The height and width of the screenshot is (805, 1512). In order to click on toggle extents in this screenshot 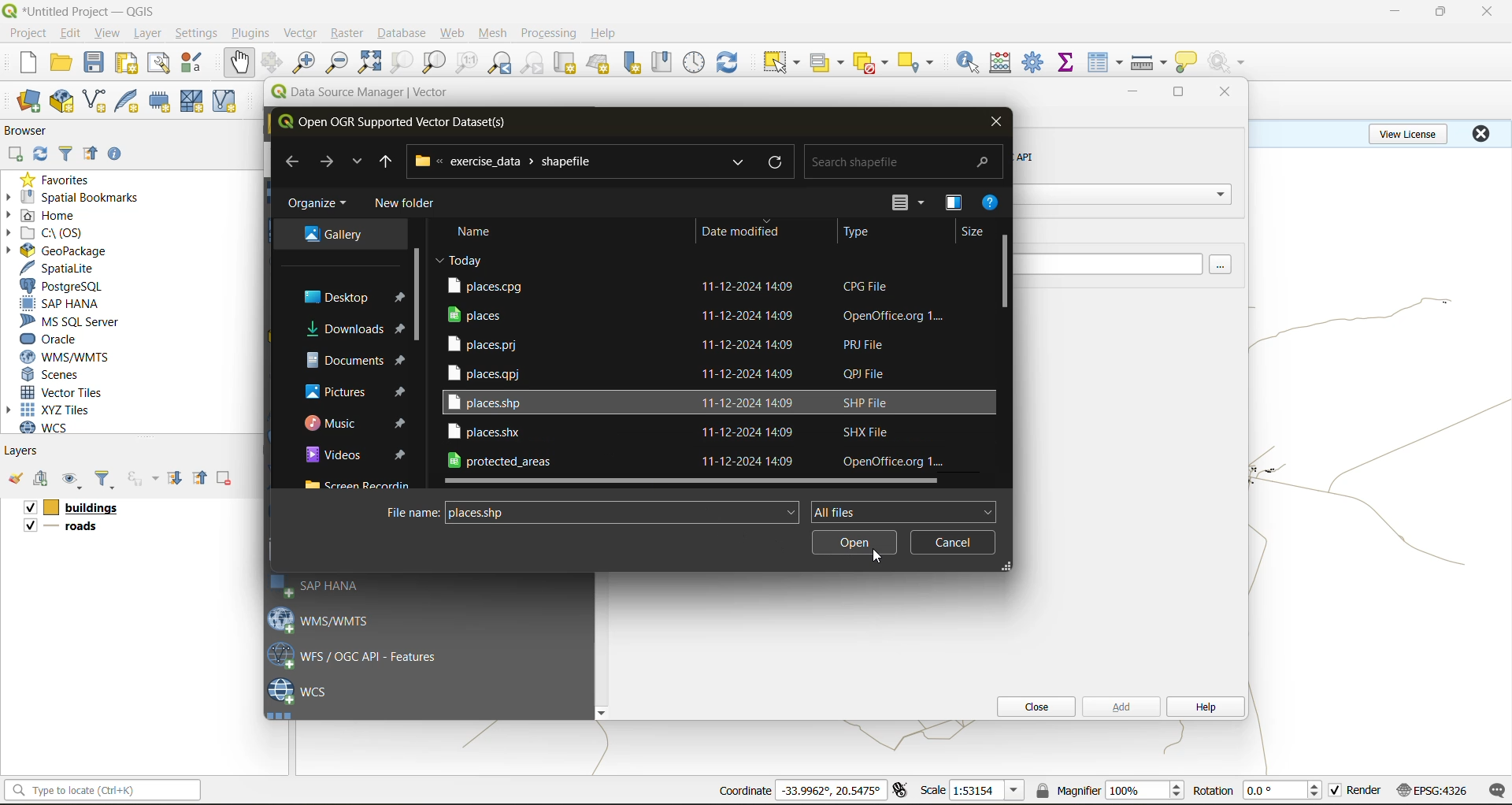, I will do `click(902, 789)`.